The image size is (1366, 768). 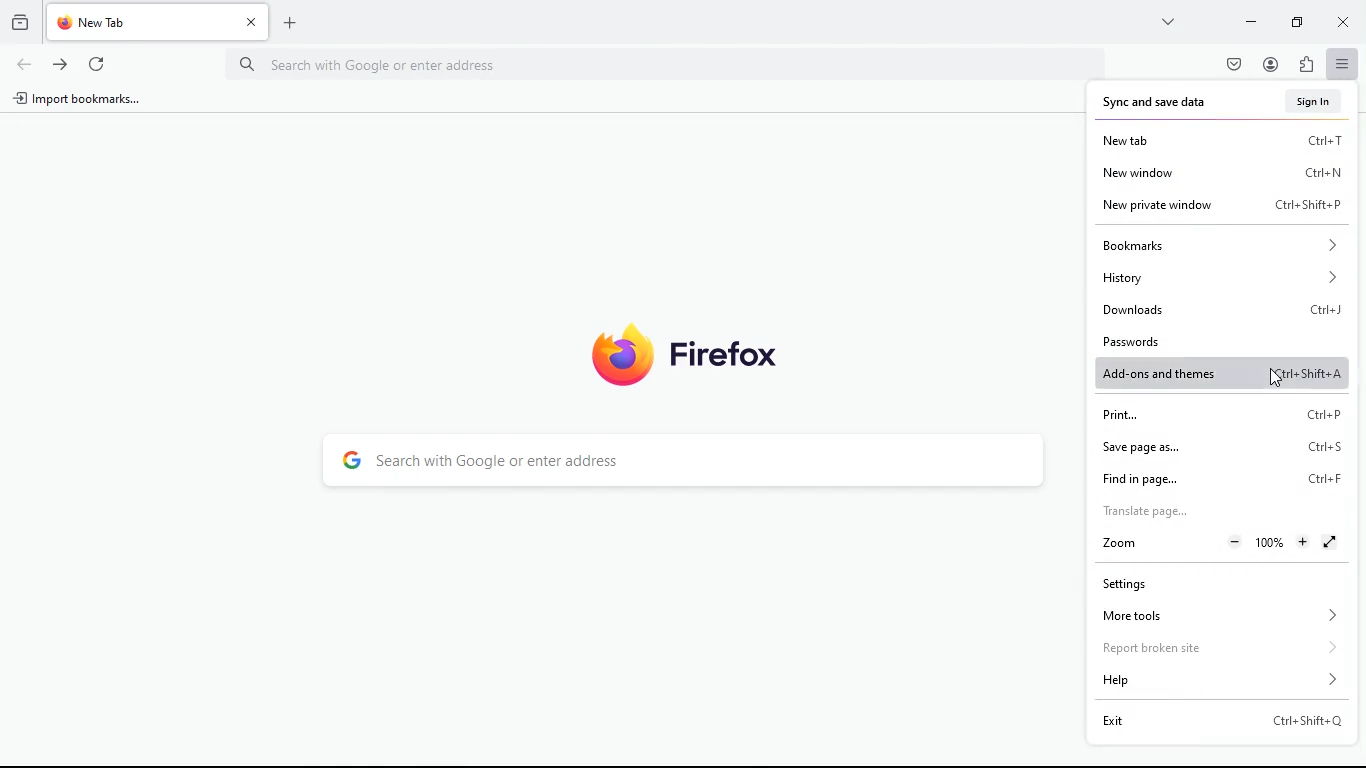 I want to click on maximize, so click(x=1293, y=24).